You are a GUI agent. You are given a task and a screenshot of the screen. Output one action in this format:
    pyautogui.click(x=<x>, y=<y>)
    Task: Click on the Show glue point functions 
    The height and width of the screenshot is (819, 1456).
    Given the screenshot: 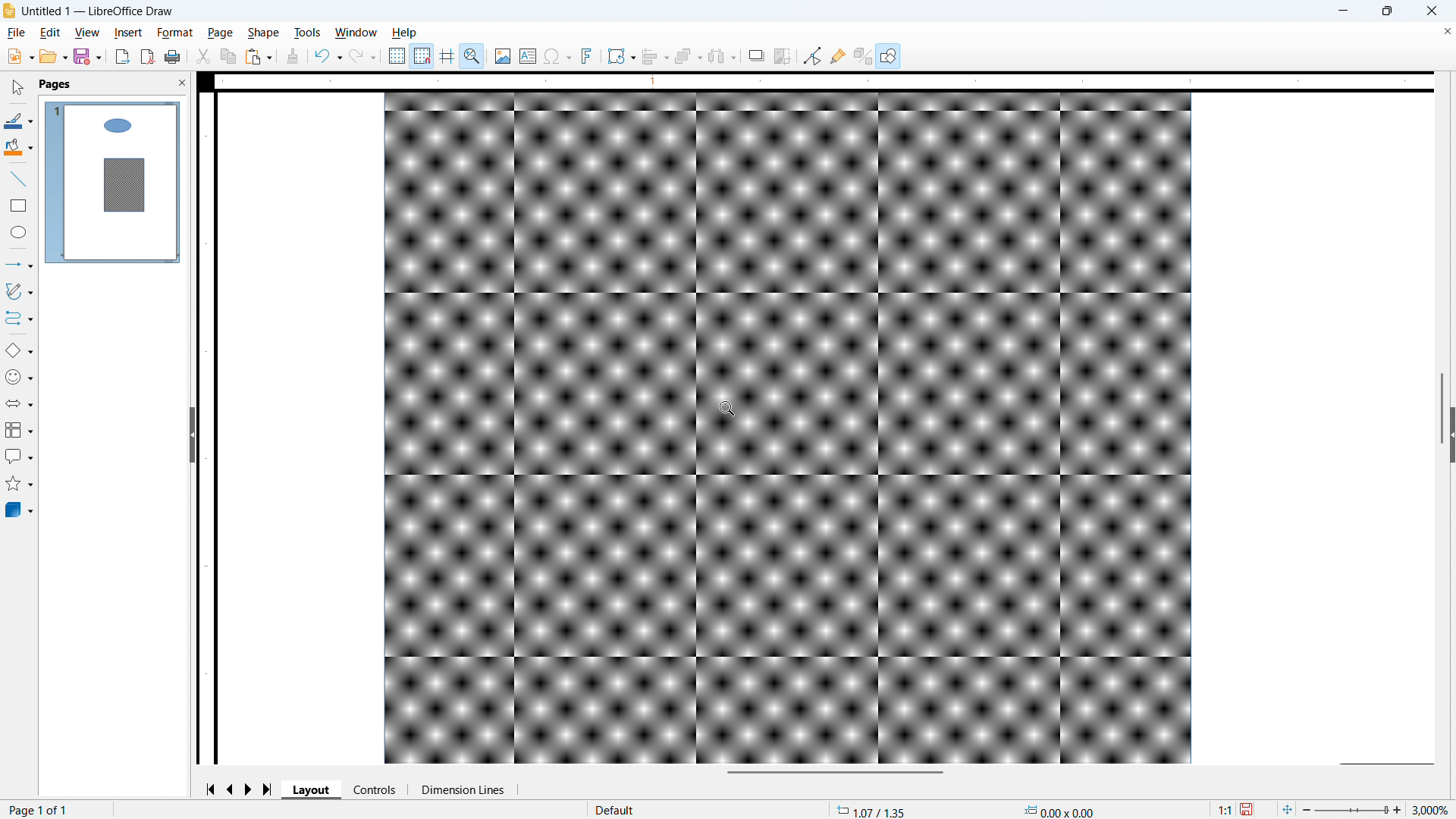 What is the action you would take?
    pyautogui.click(x=838, y=56)
    